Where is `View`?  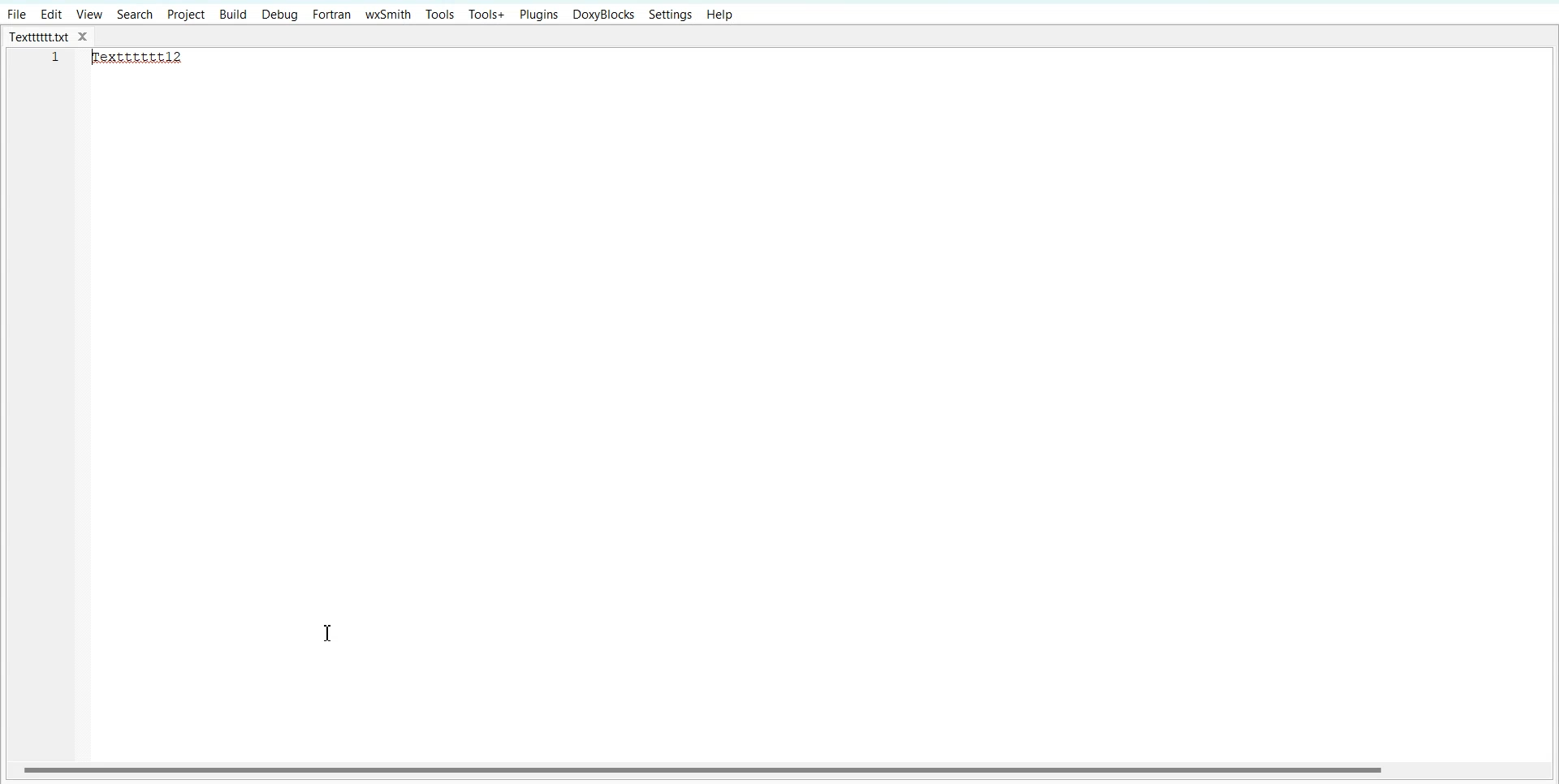
View is located at coordinates (90, 14).